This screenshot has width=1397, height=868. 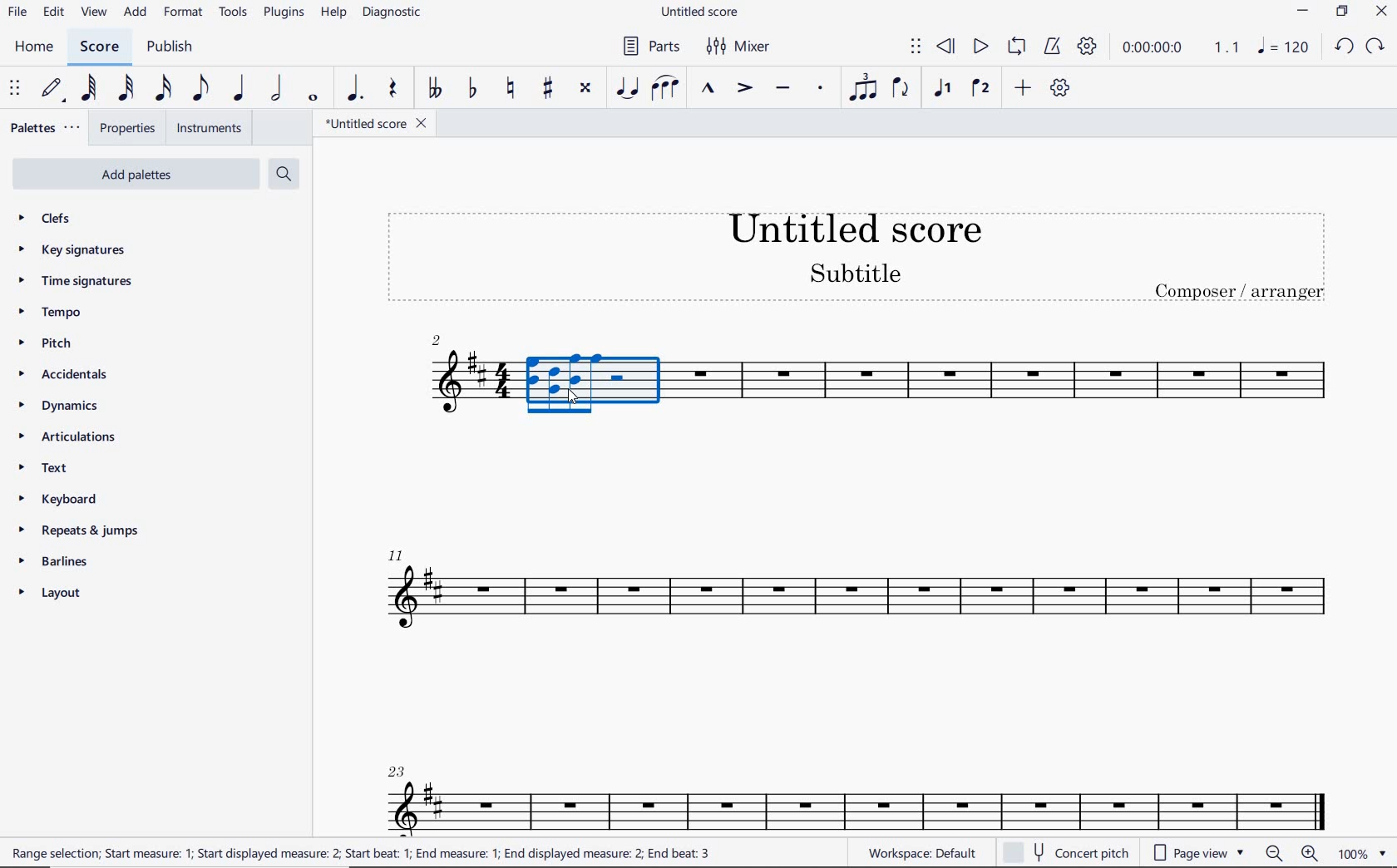 What do you see at coordinates (549, 88) in the screenshot?
I see `TOGGLE SHARP` at bounding box center [549, 88].